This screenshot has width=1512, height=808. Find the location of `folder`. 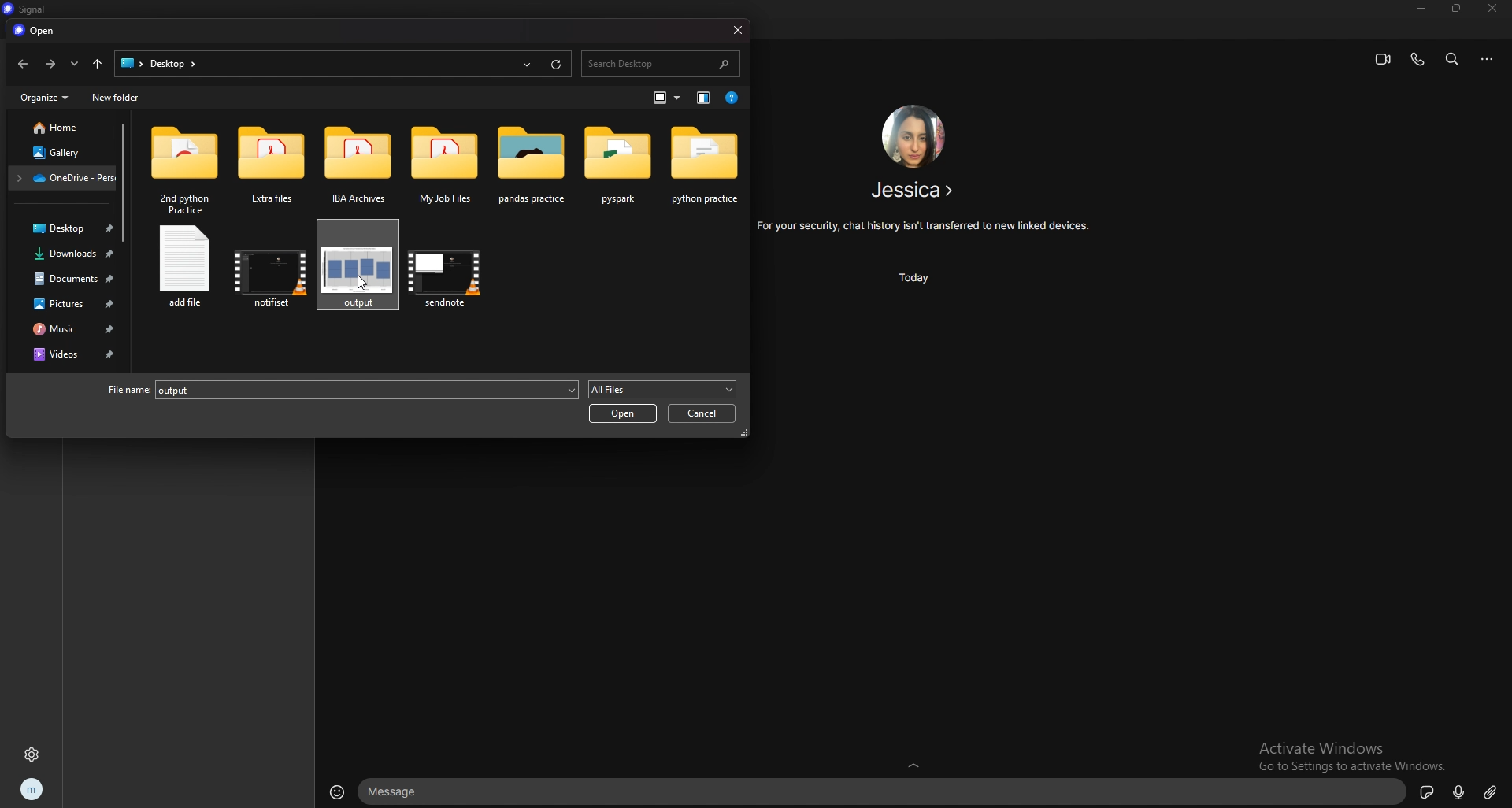

folder is located at coordinates (621, 165).